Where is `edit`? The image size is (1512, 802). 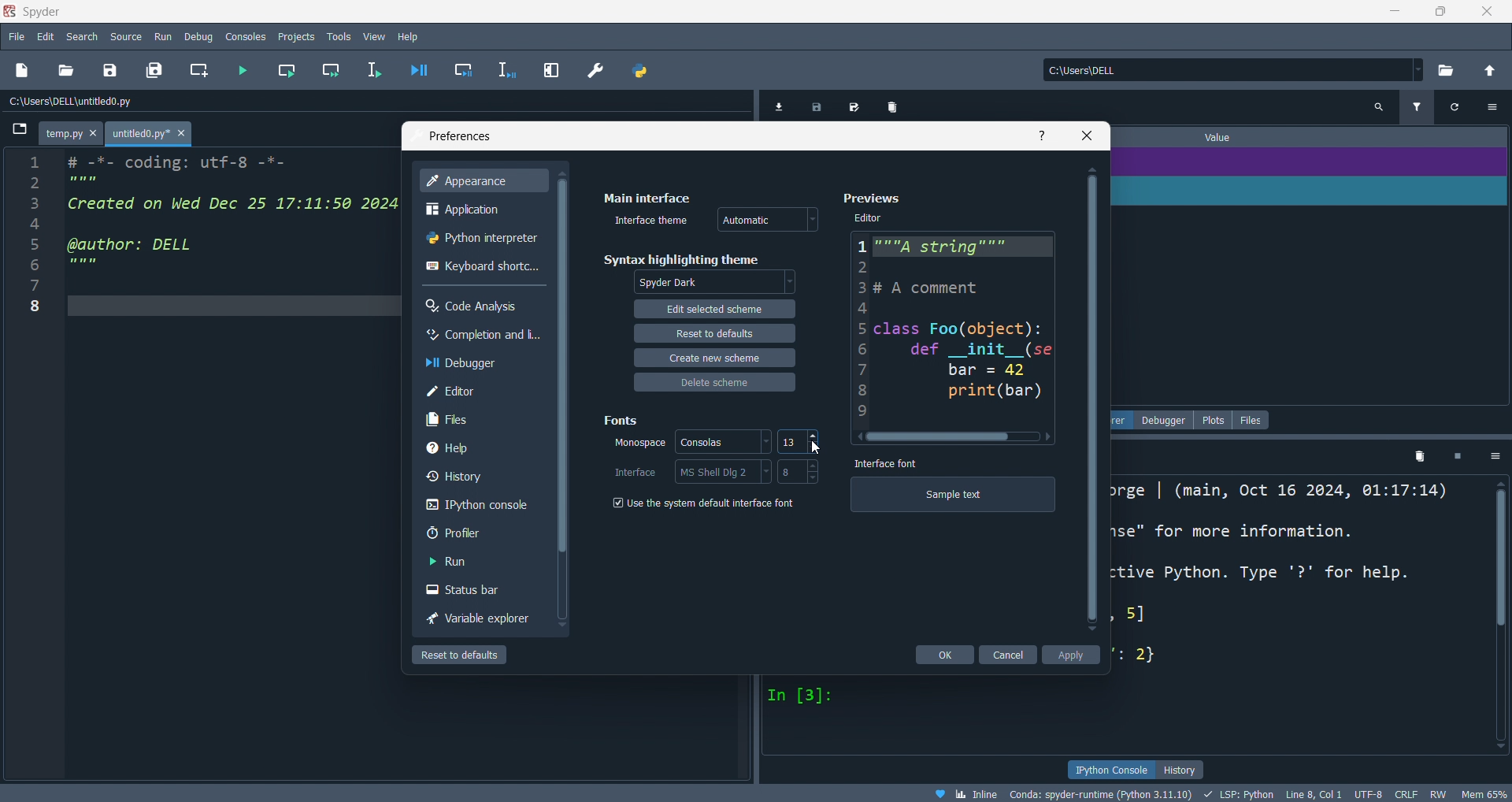 edit is located at coordinates (44, 35).